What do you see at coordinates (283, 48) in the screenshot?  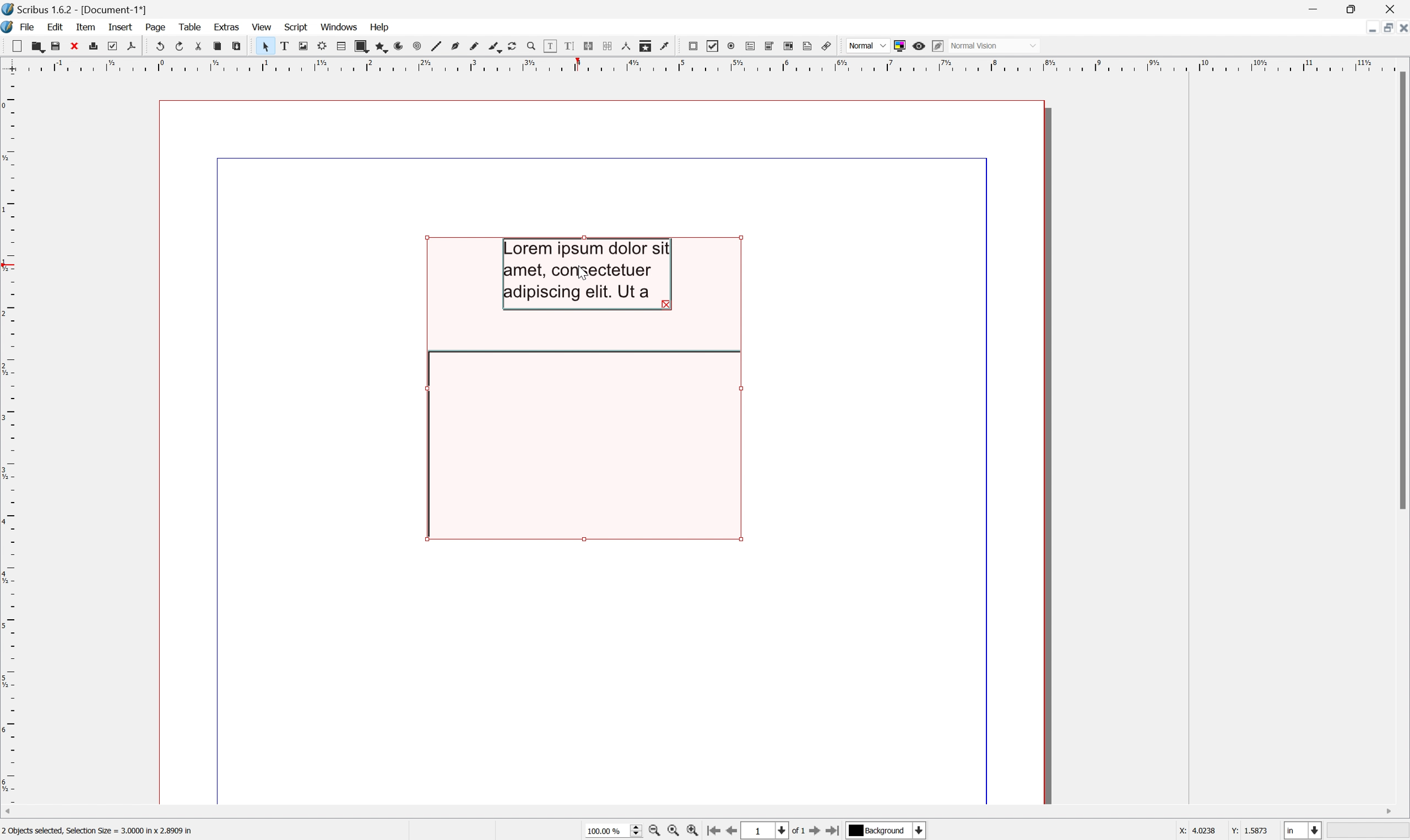 I see `Text frame` at bounding box center [283, 48].